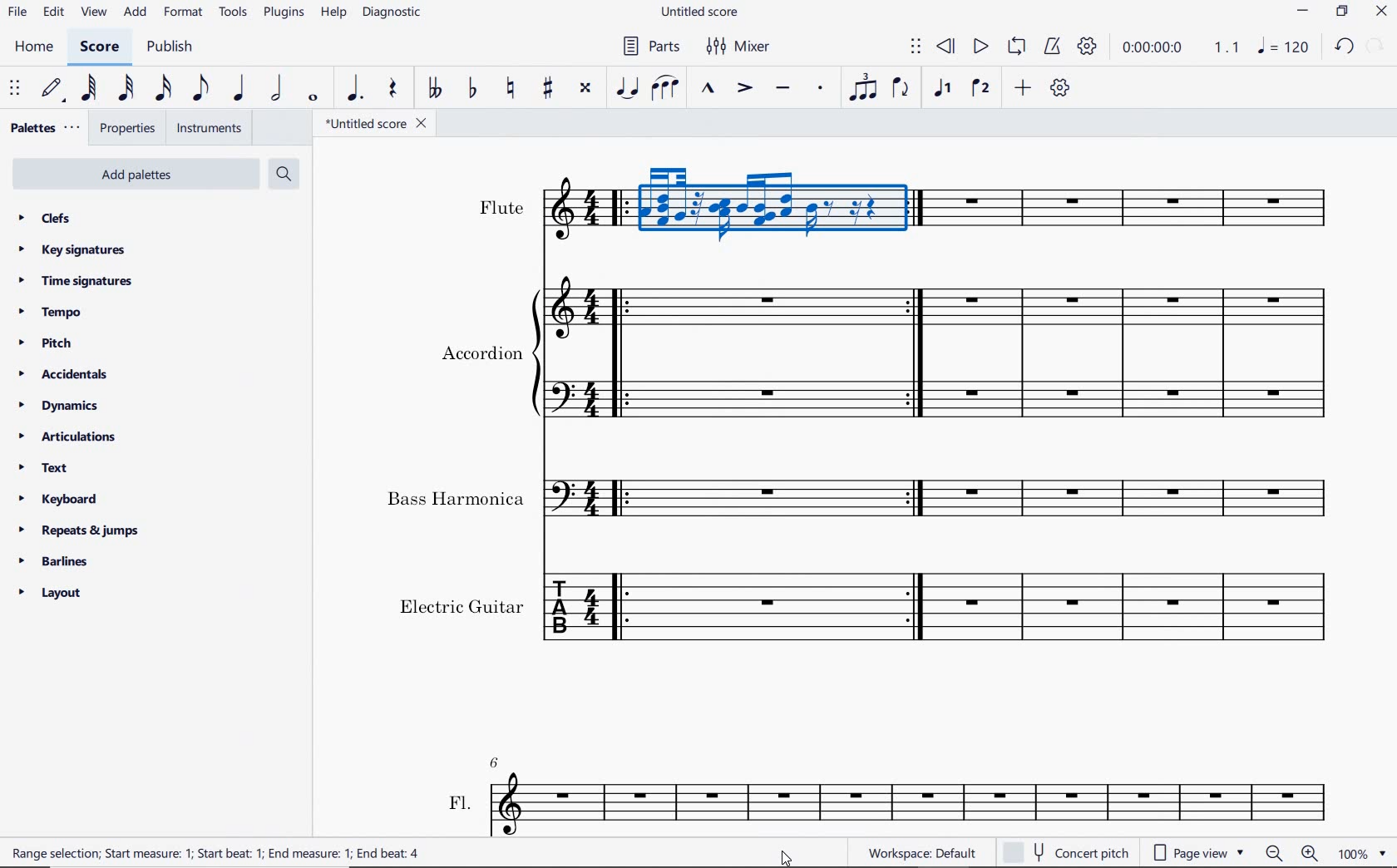 The image size is (1397, 868). Describe the element at coordinates (46, 344) in the screenshot. I see `pitch` at that location.